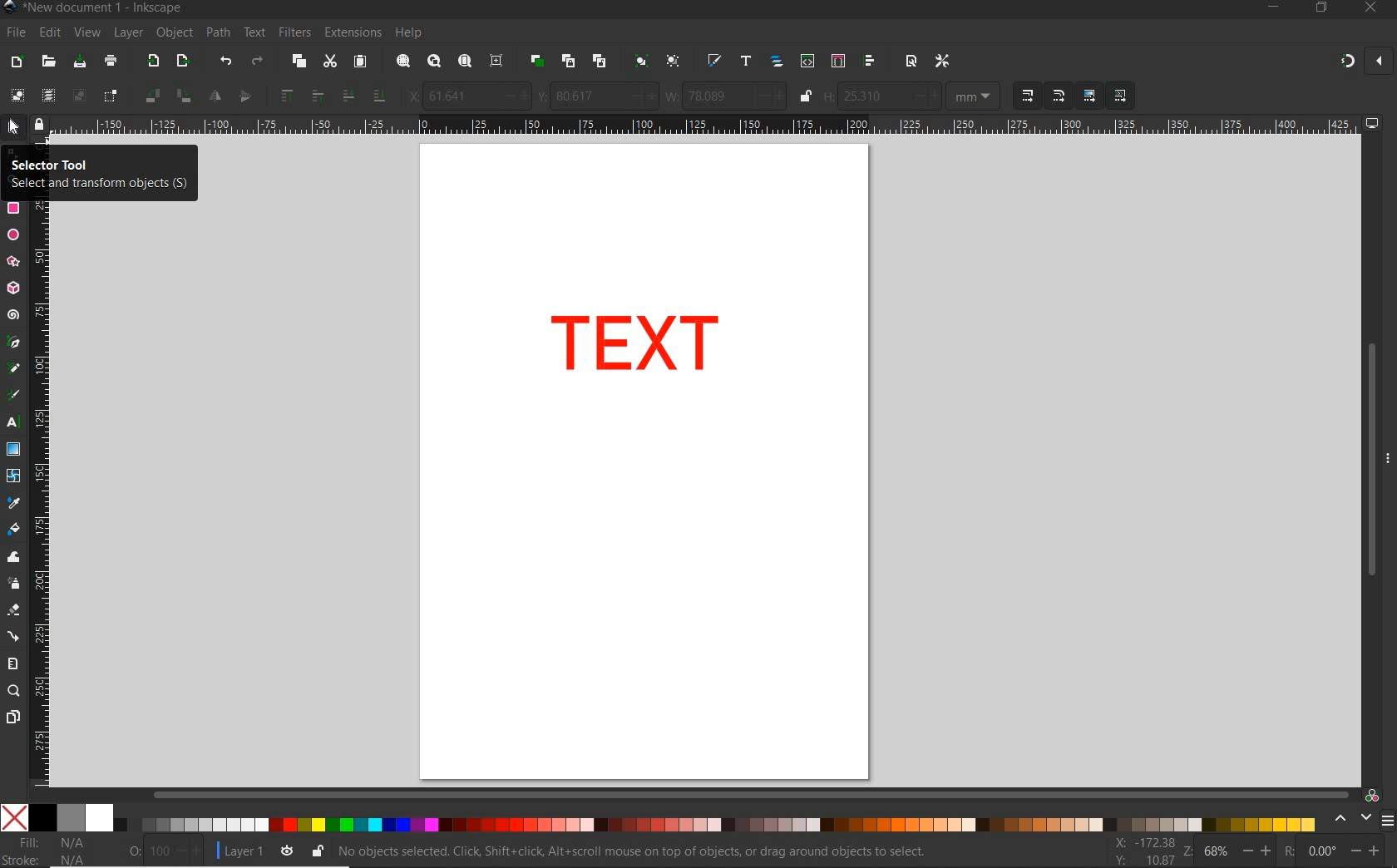 Image resolution: width=1397 pixels, height=868 pixels. I want to click on selector tool, so click(100, 175).